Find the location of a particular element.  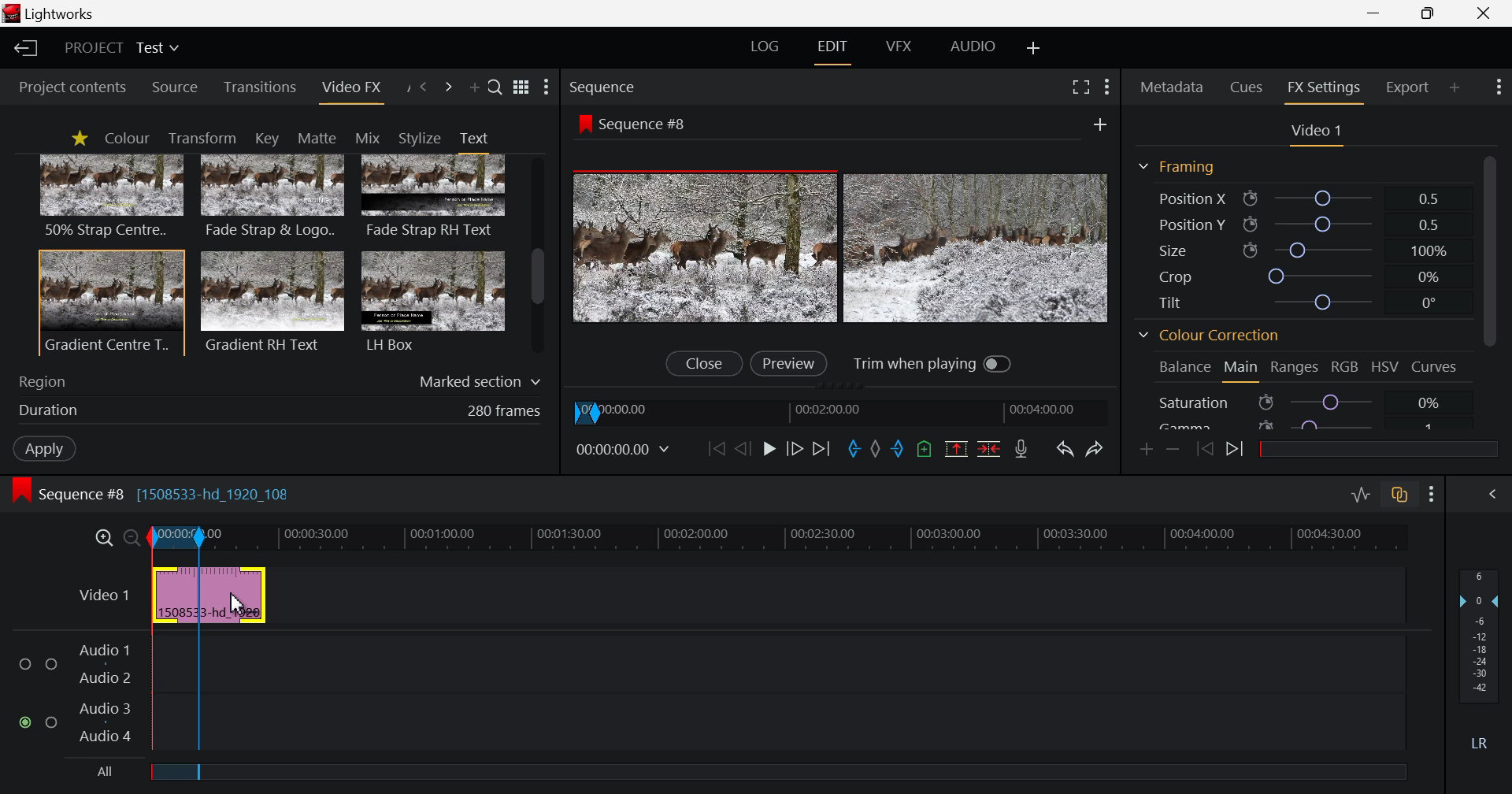

AUDIO Layout is located at coordinates (978, 45).